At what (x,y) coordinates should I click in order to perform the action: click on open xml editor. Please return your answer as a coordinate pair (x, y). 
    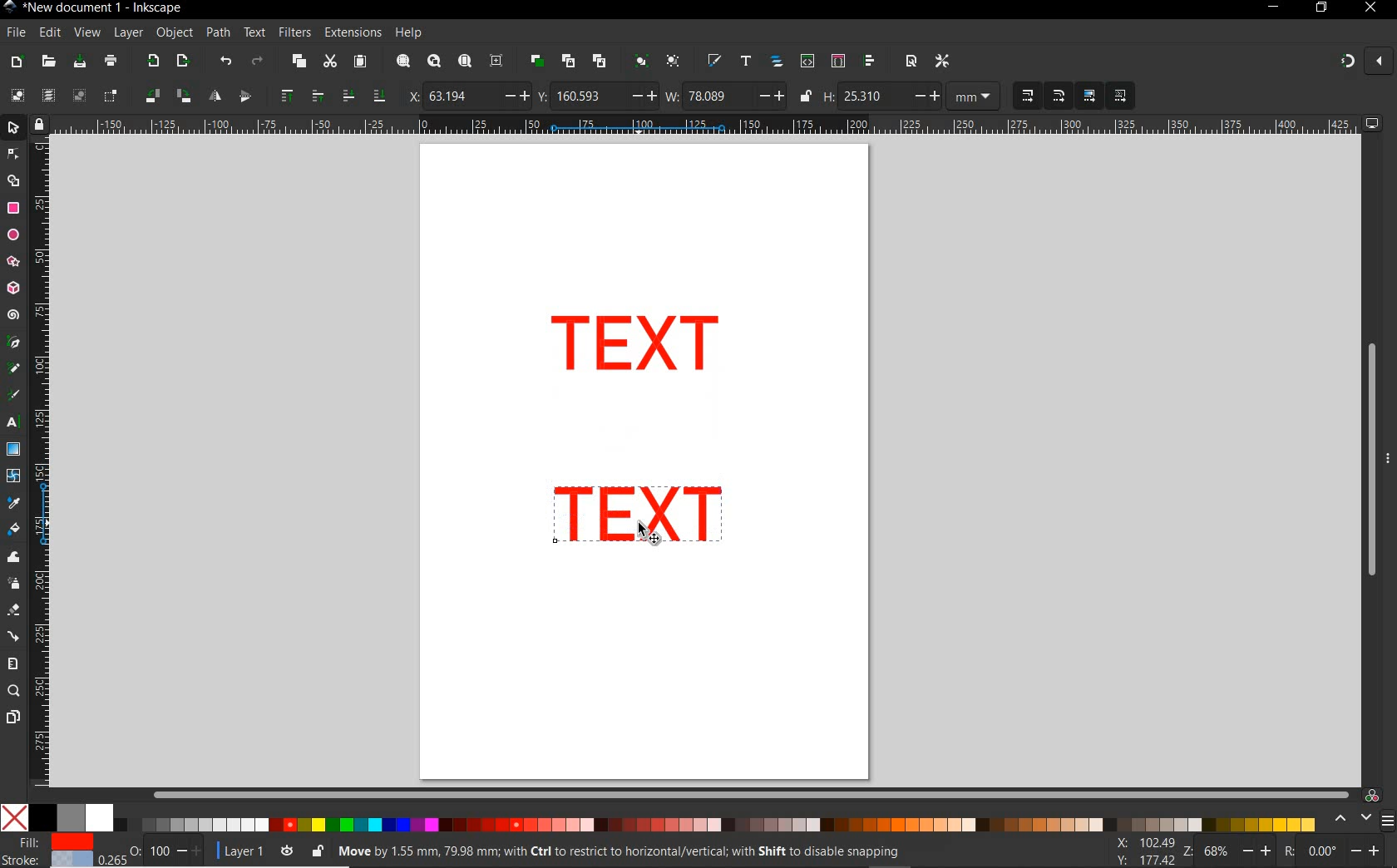
    Looking at the image, I should click on (806, 62).